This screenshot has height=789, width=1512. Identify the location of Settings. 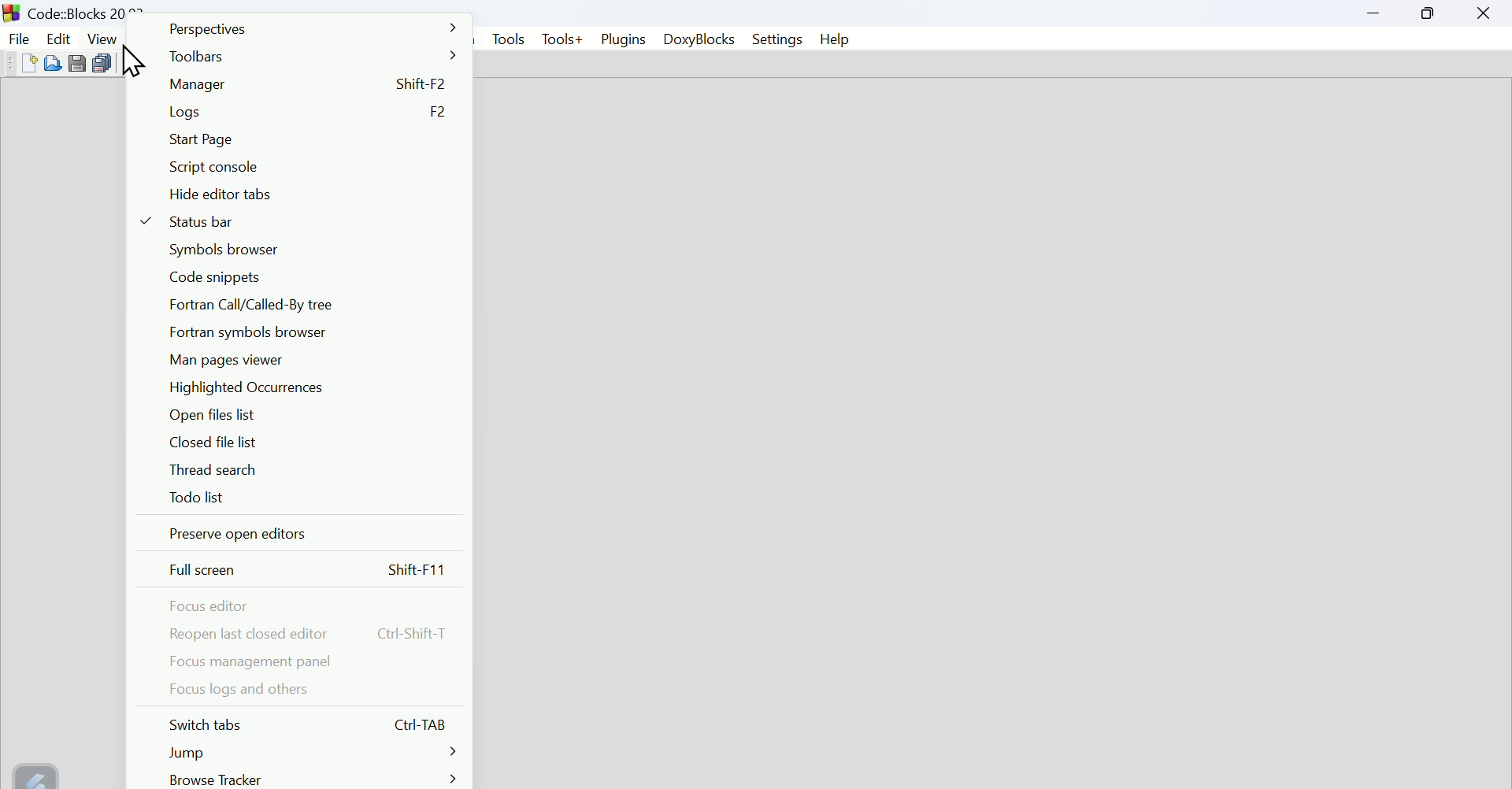
(777, 39).